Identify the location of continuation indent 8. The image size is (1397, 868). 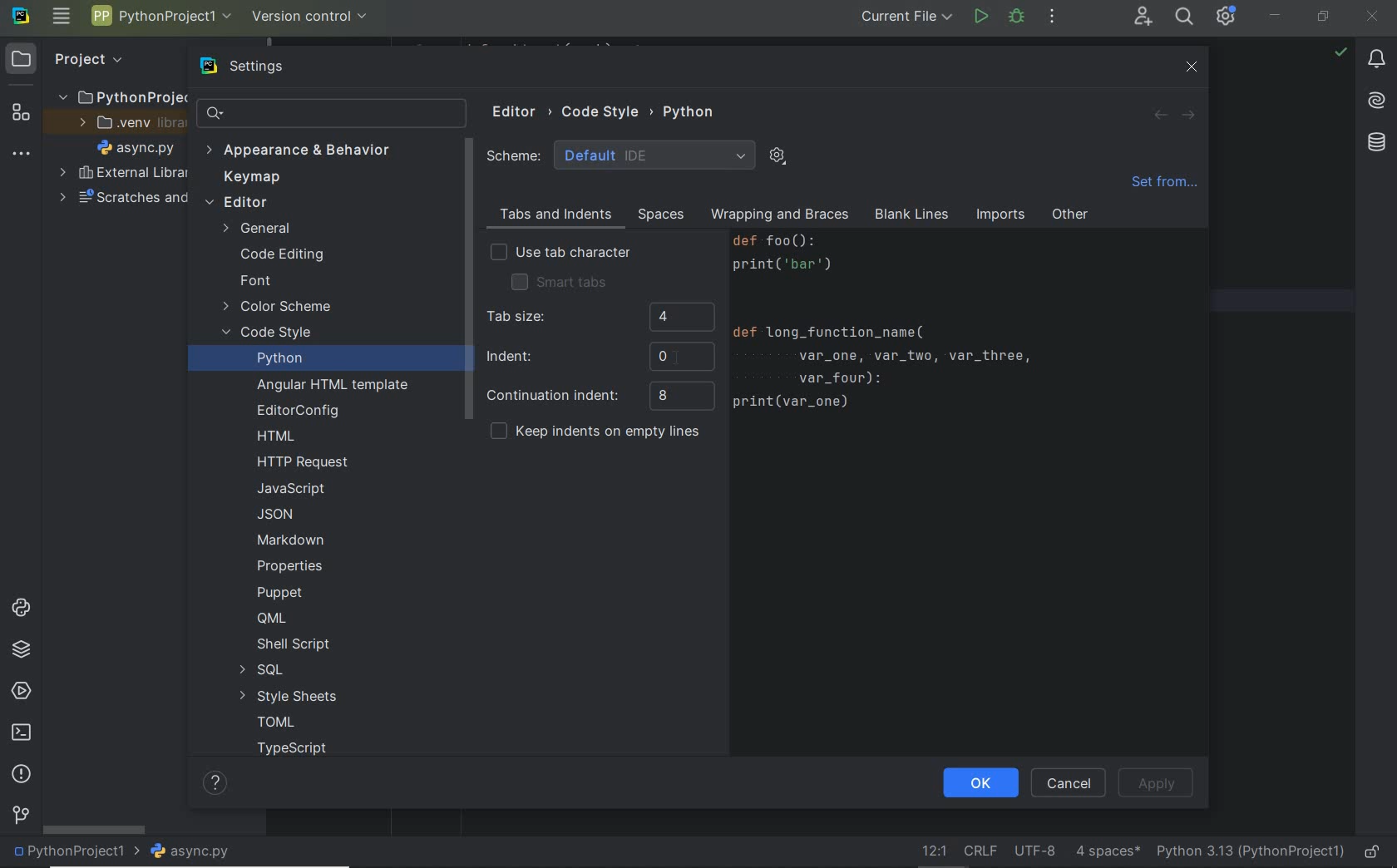
(600, 397).